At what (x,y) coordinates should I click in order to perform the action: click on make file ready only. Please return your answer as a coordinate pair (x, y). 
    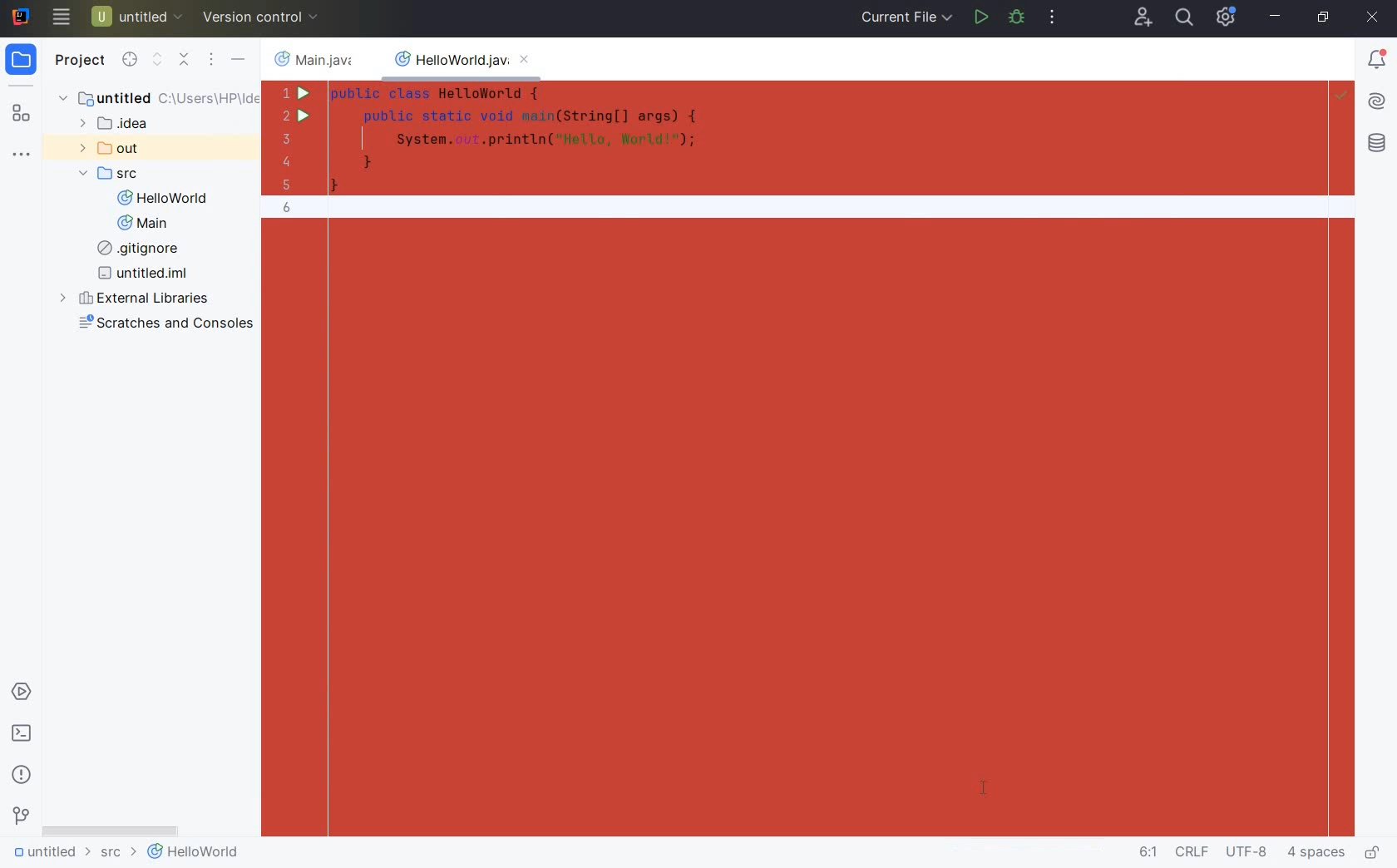
    Looking at the image, I should click on (1375, 853).